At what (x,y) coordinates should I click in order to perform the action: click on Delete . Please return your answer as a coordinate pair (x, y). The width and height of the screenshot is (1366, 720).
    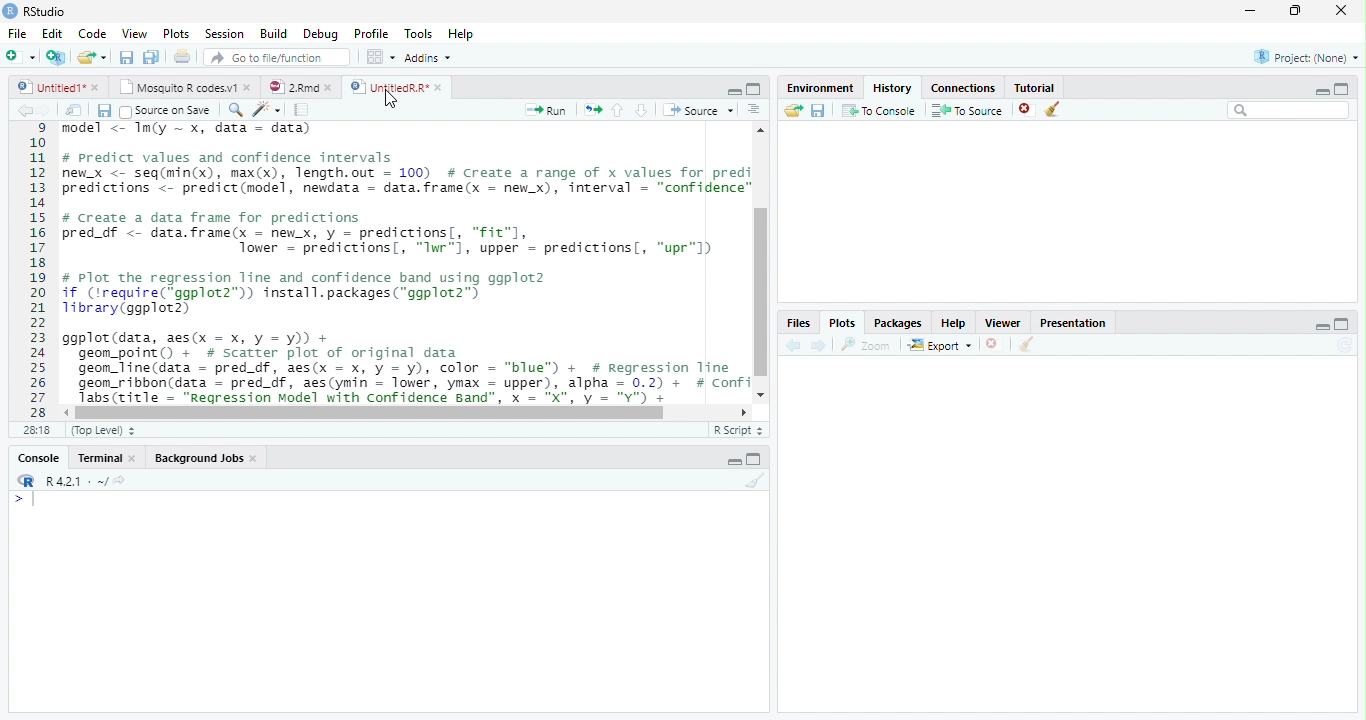
    Looking at the image, I should click on (994, 345).